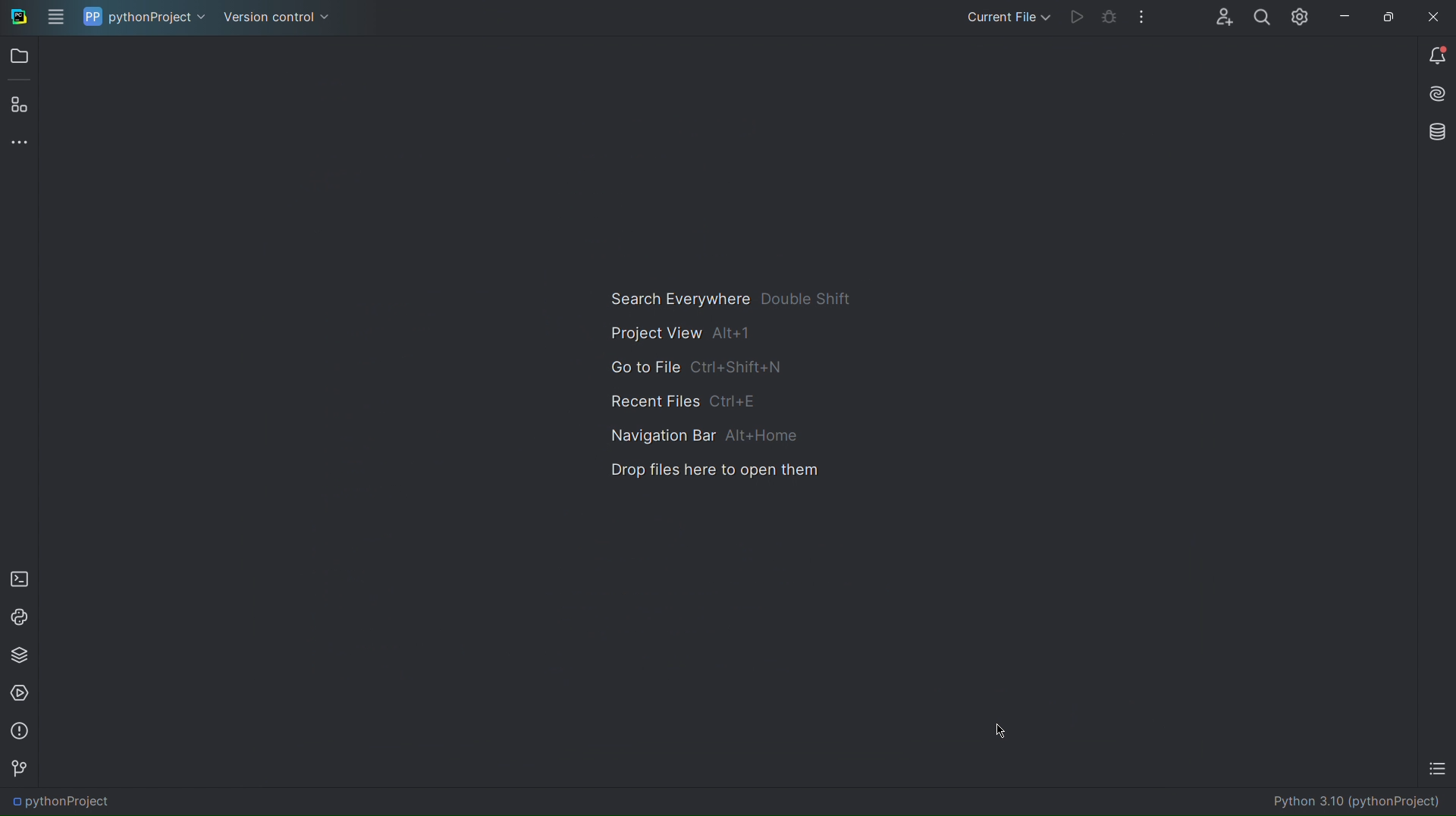 The width and height of the screenshot is (1456, 816). I want to click on pythonProject, so click(144, 17).